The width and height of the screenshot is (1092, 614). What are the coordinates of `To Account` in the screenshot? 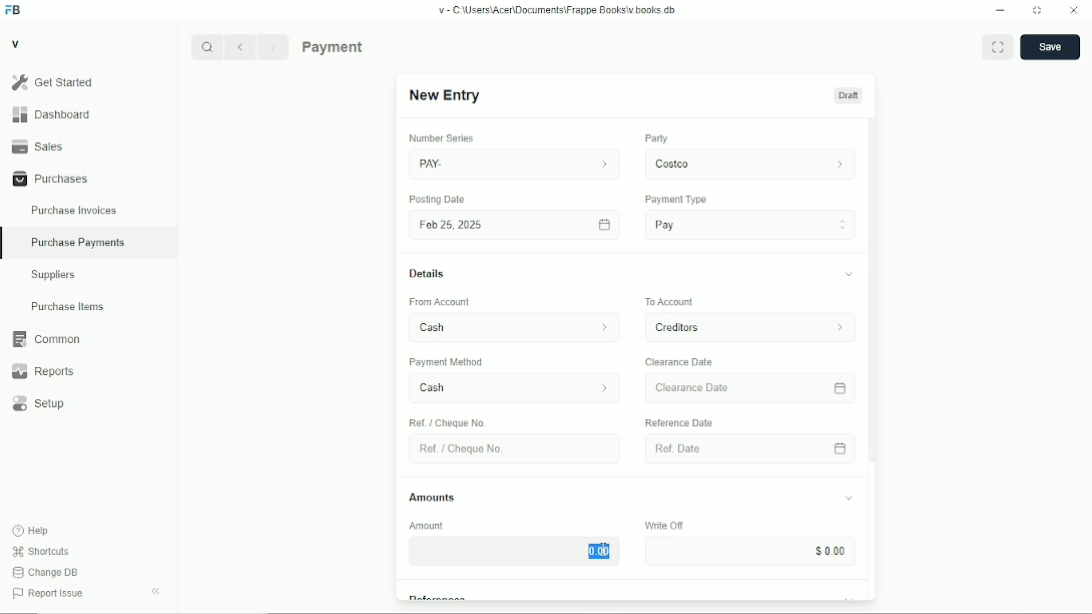 It's located at (747, 328).